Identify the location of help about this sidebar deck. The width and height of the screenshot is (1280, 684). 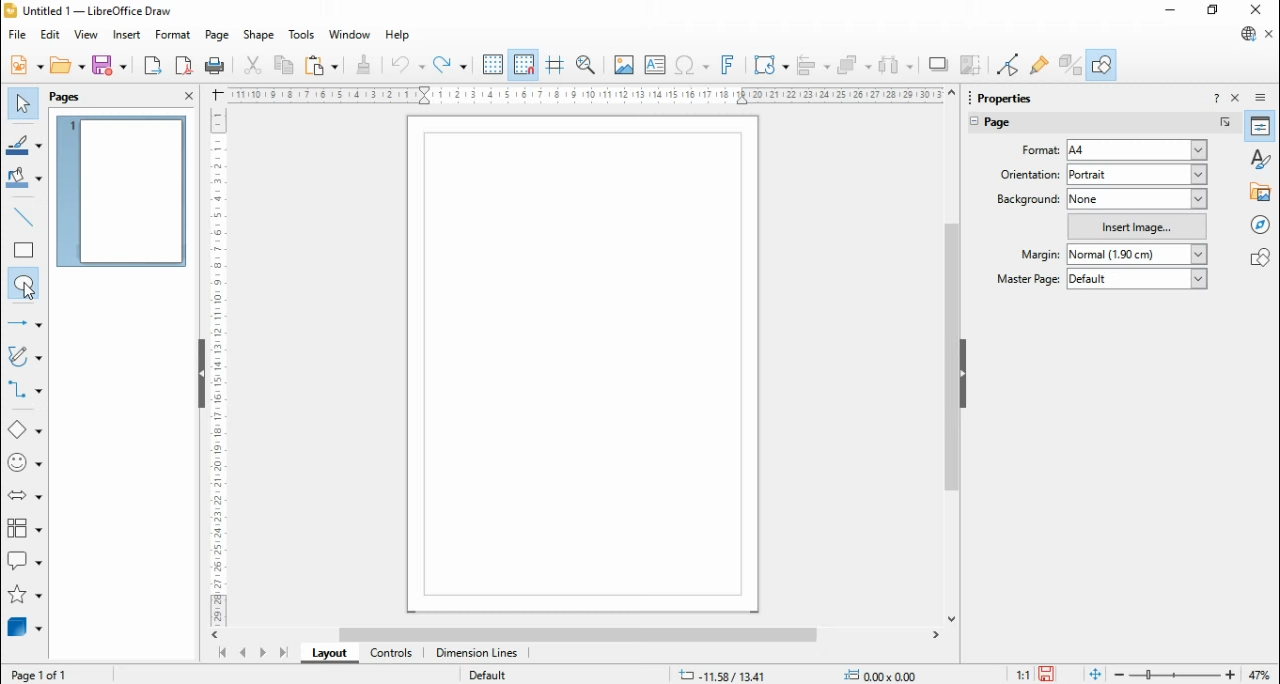
(1216, 97).